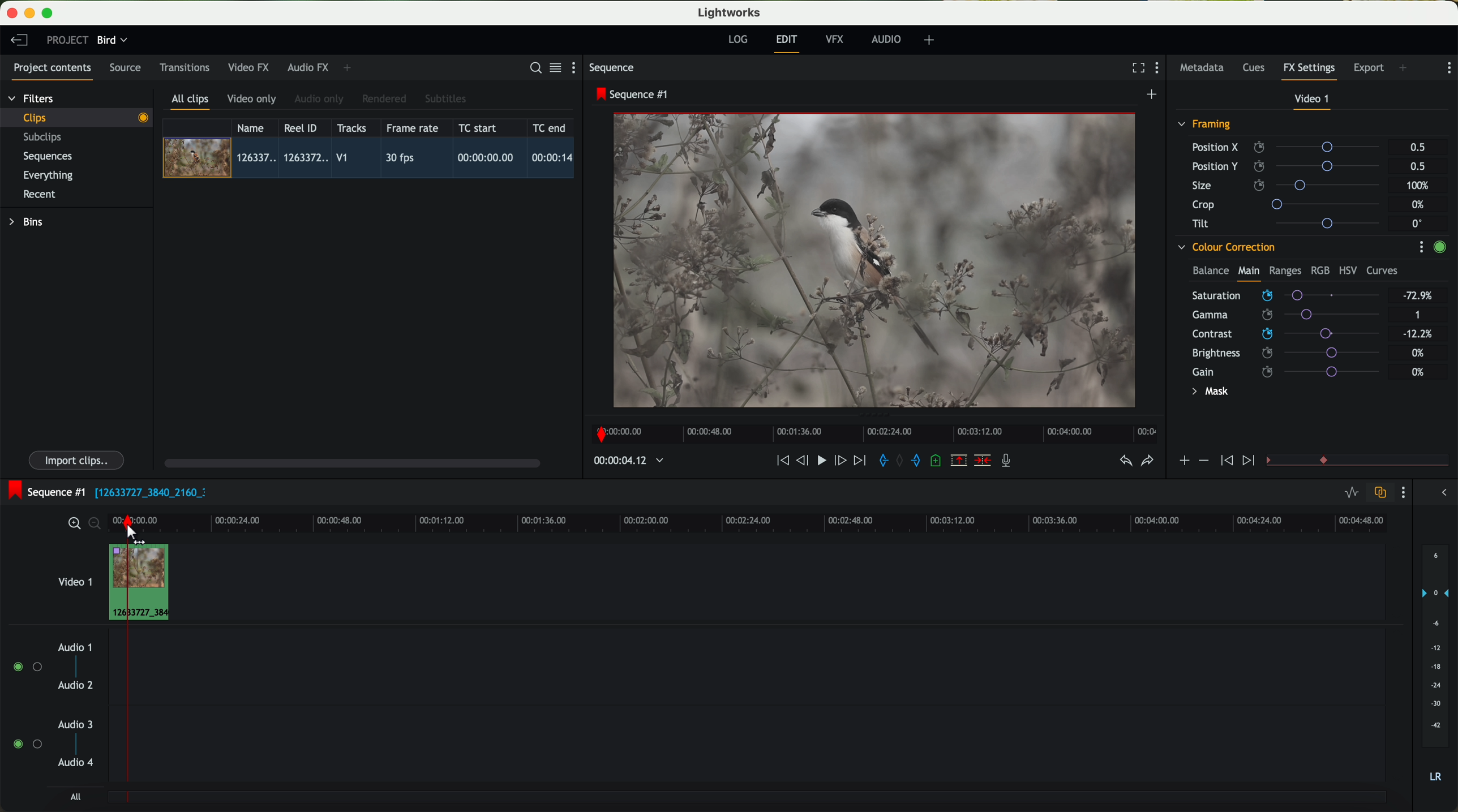 This screenshot has height=812, width=1458. What do you see at coordinates (251, 100) in the screenshot?
I see `video only` at bounding box center [251, 100].